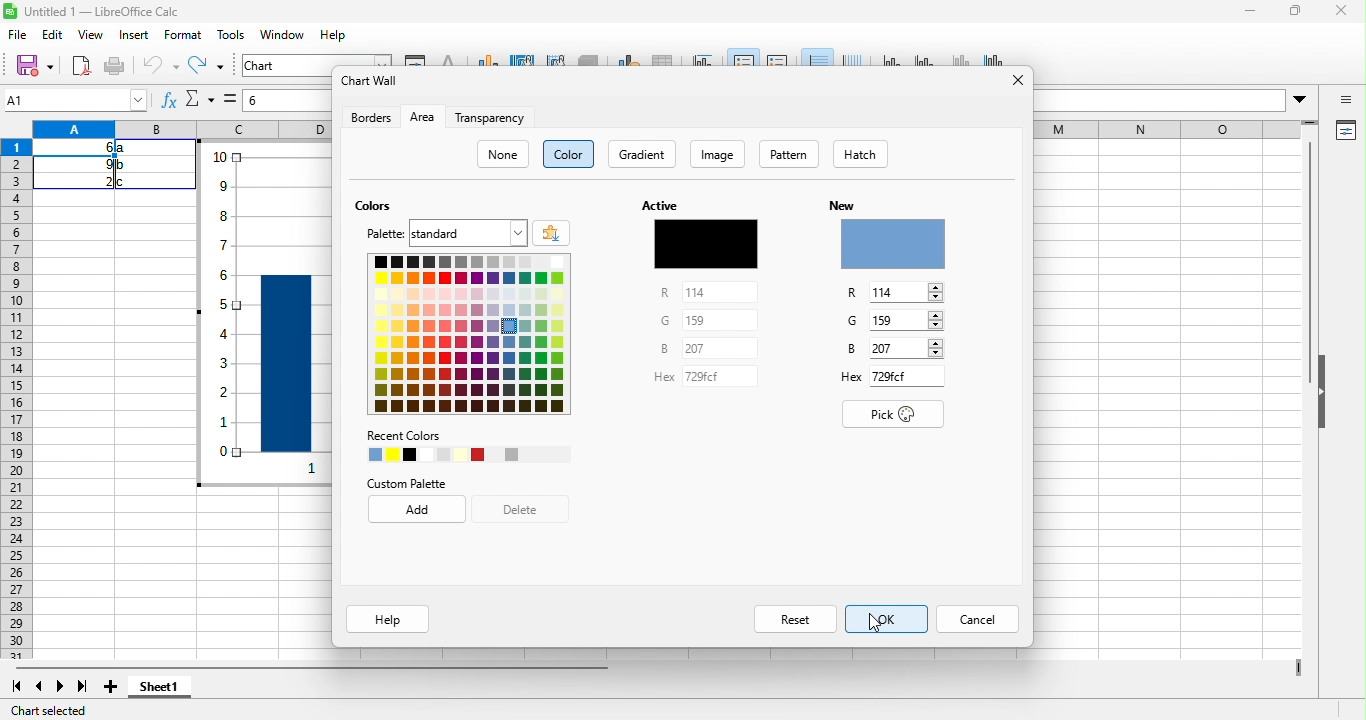  Describe the element at coordinates (387, 617) in the screenshot. I see `help` at that location.